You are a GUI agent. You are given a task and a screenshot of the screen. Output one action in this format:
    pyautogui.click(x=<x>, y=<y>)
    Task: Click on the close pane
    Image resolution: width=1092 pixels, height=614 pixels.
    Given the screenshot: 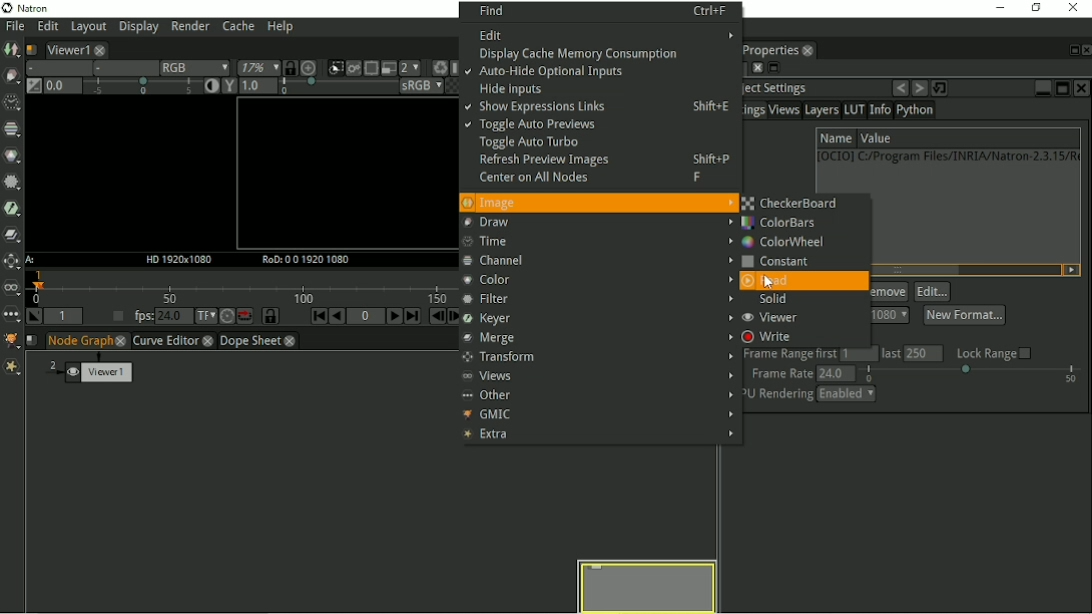 What is the action you would take?
    pyautogui.click(x=755, y=68)
    